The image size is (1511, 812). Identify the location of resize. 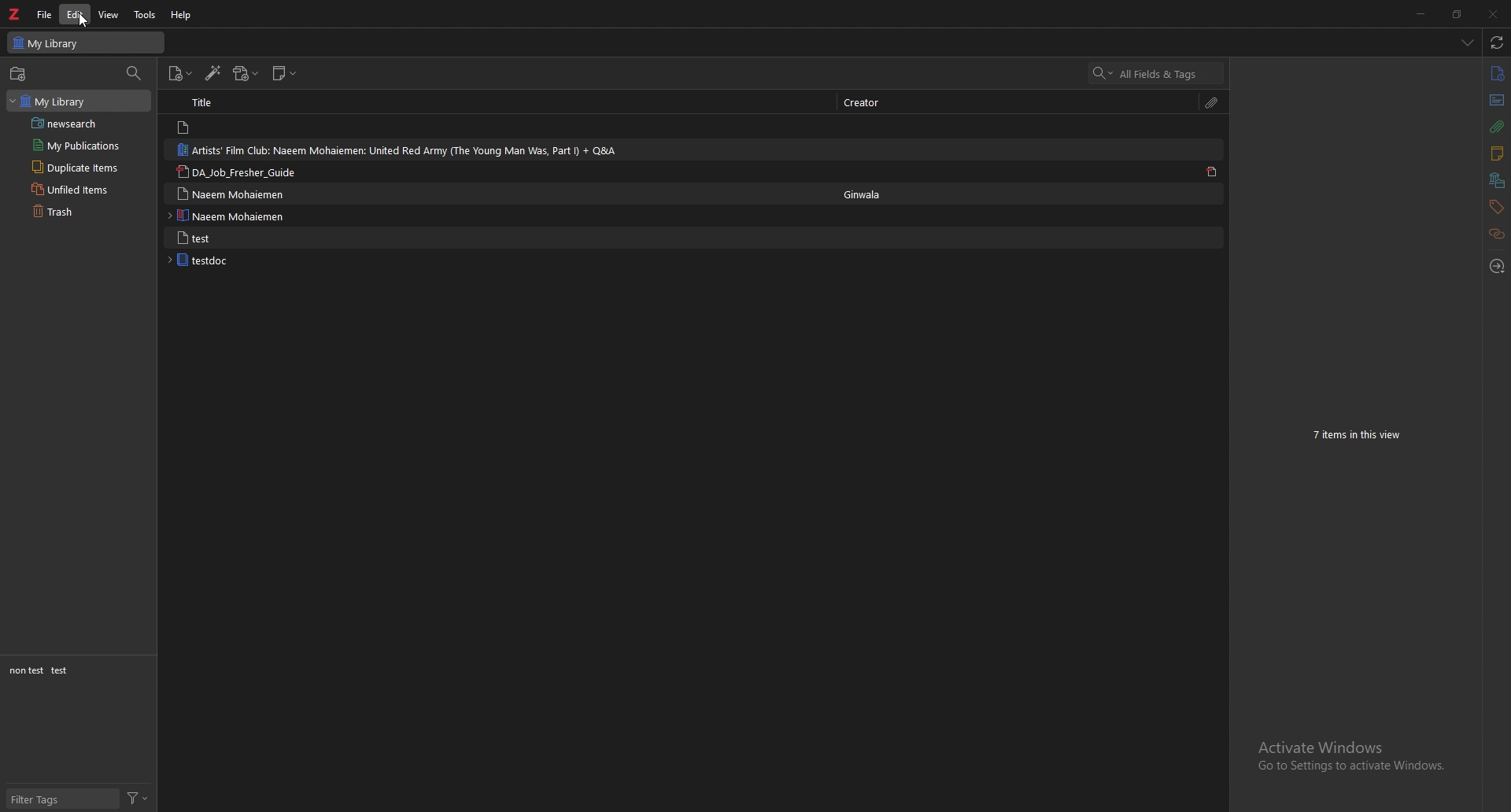
(1456, 14).